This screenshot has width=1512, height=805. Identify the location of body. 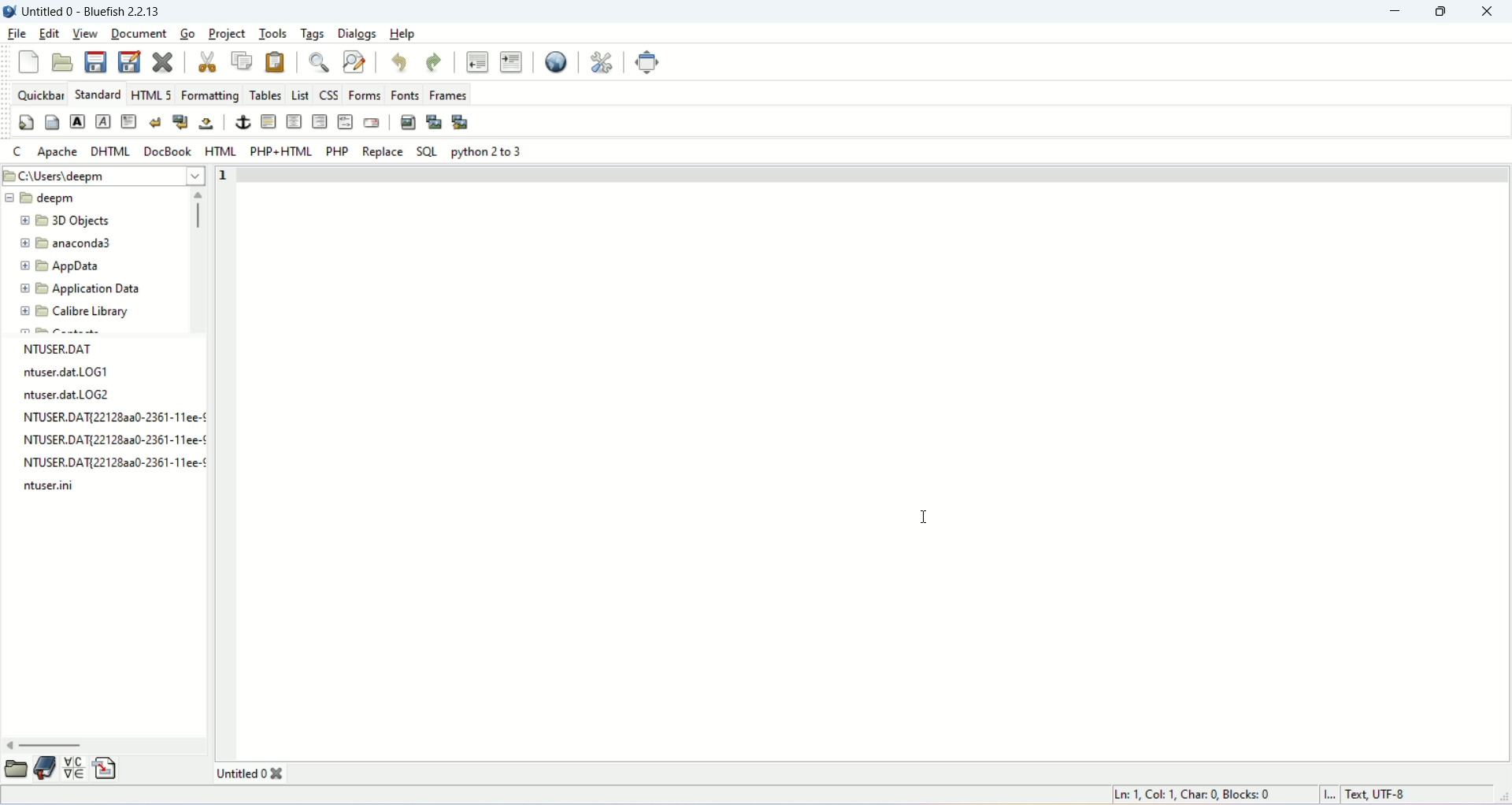
(53, 121).